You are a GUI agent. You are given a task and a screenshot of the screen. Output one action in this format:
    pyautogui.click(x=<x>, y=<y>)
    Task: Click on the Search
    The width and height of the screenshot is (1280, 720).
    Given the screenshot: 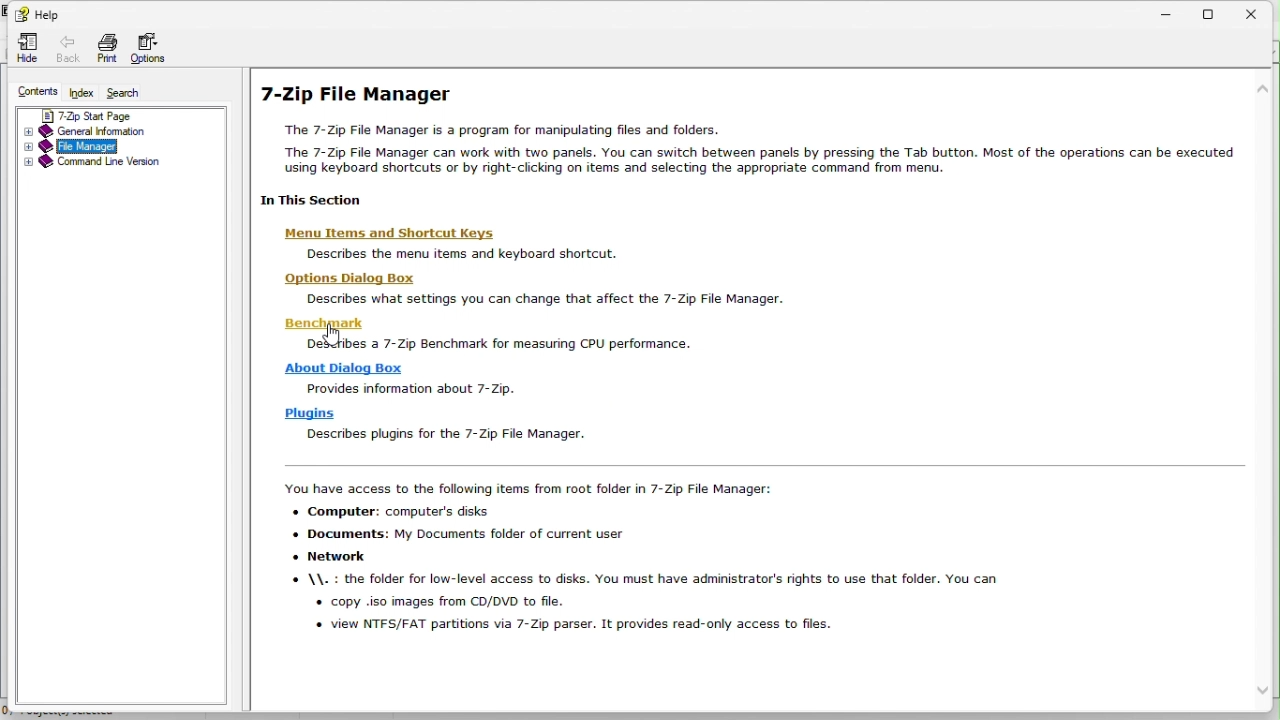 What is the action you would take?
    pyautogui.click(x=137, y=92)
    